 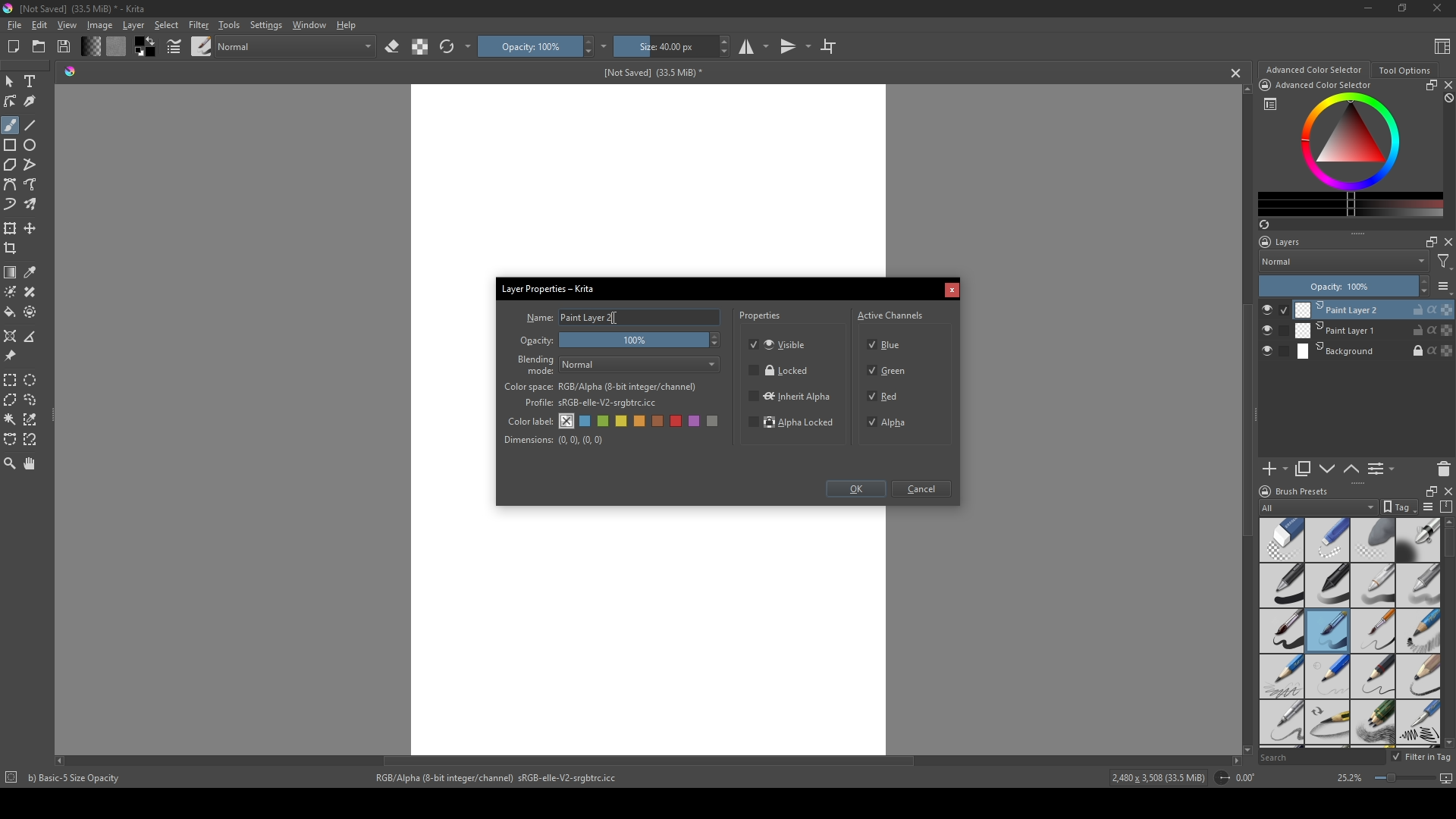 I want to click on Paint Layer 2, so click(x=640, y=318).